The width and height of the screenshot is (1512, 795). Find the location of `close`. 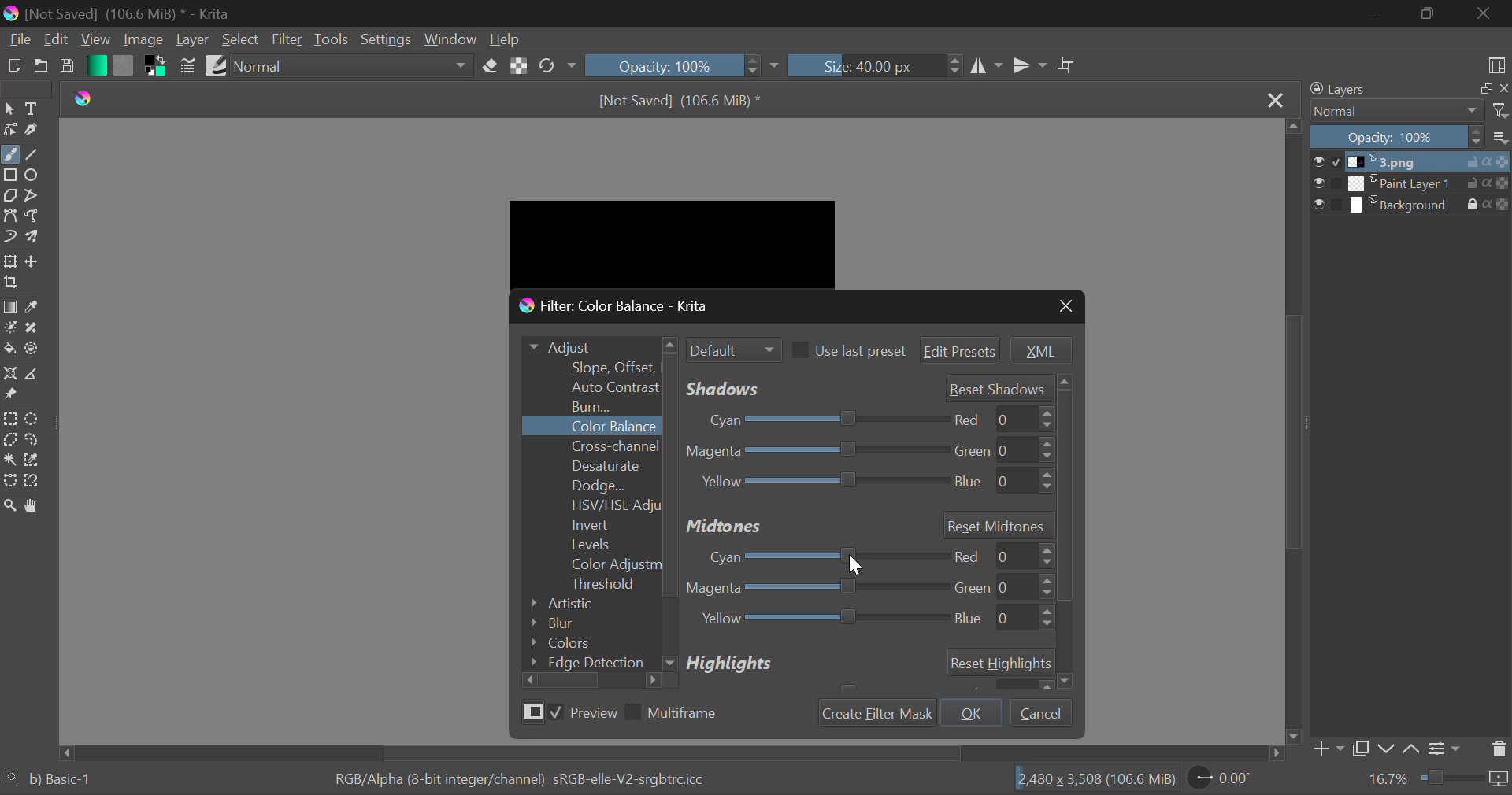

close is located at coordinates (1503, 89).